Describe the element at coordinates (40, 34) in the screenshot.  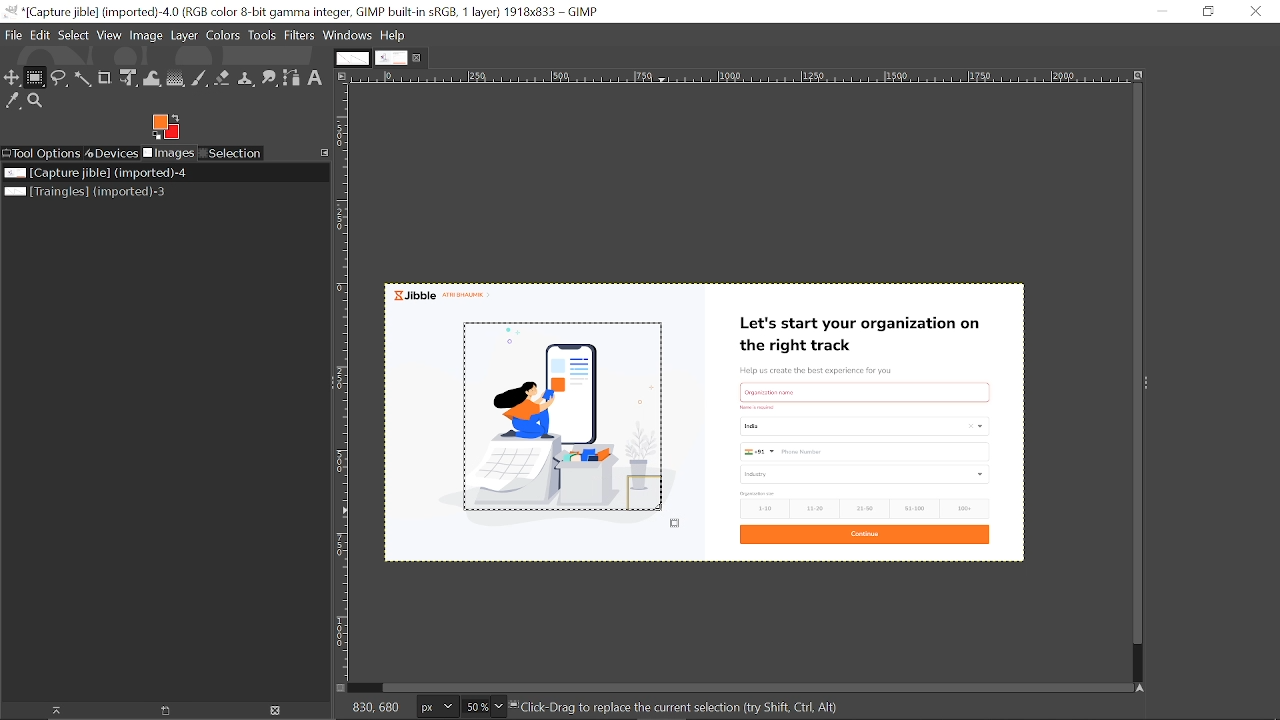
I see `Edit` at that location.